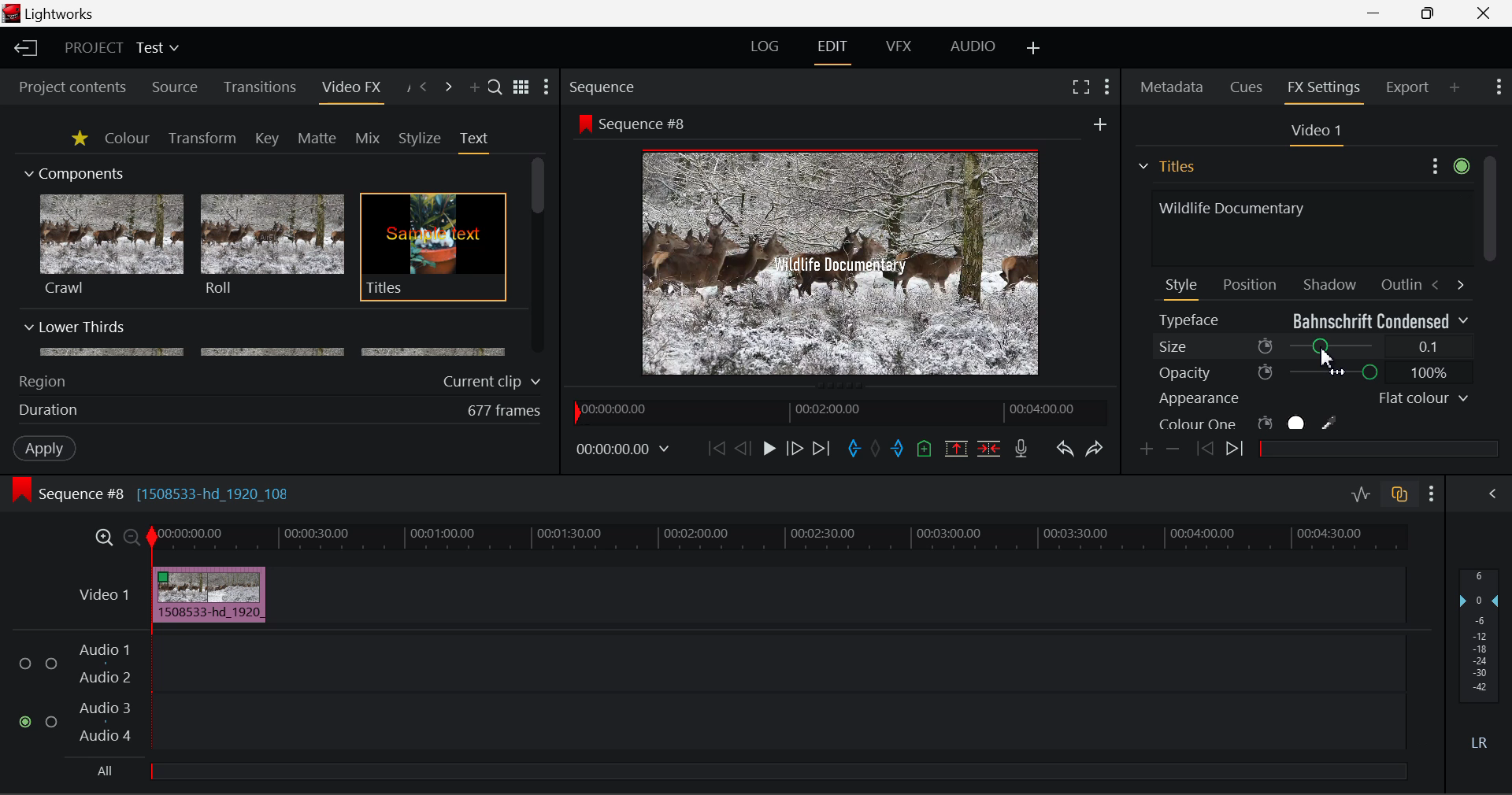  What do you see at coordinates (1021, 452) in the screenshot?
I see `Record Voiceover` at bounding box center [1021, 452].